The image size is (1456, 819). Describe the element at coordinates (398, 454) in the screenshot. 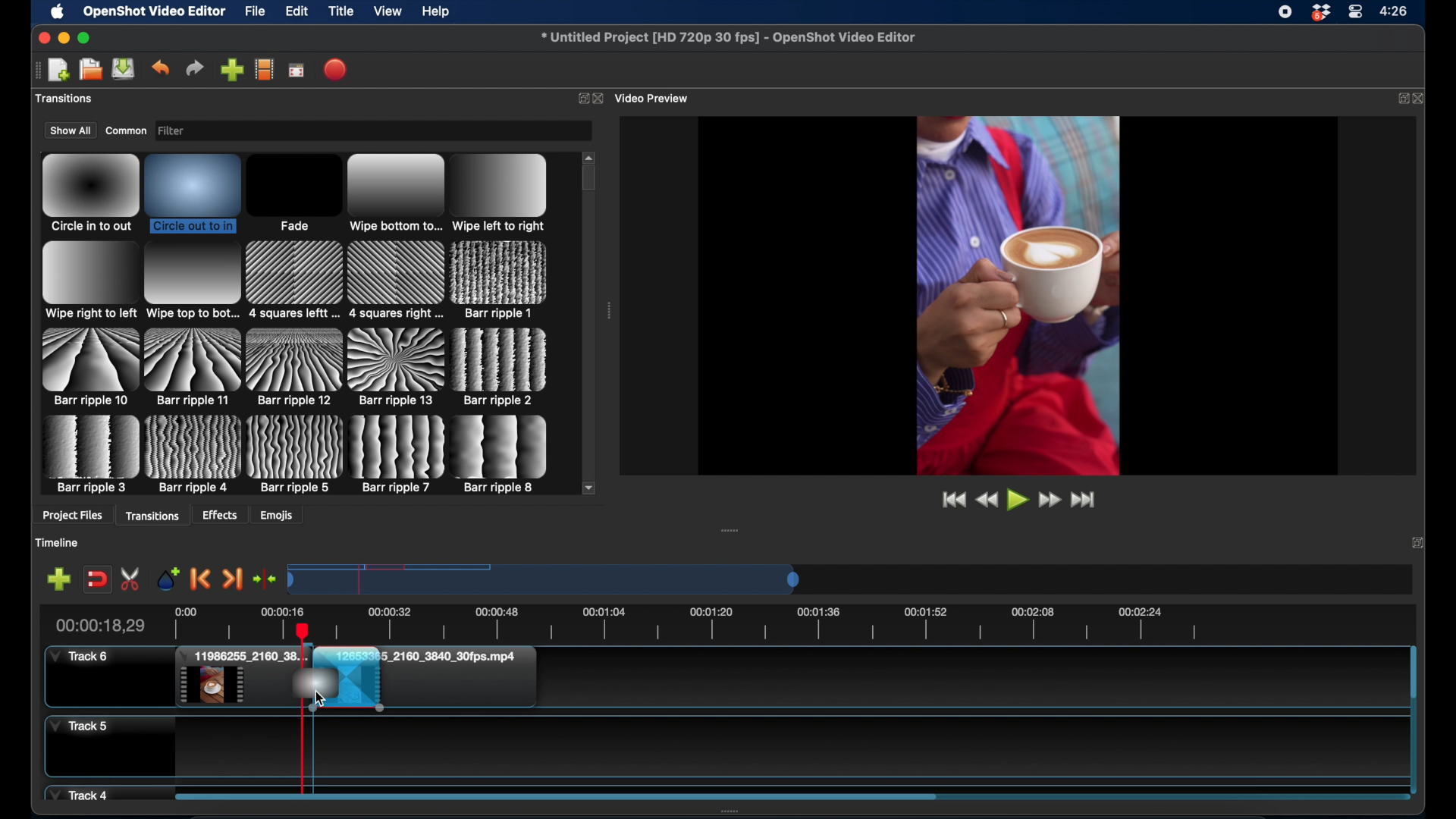

I see `transition` at that location.